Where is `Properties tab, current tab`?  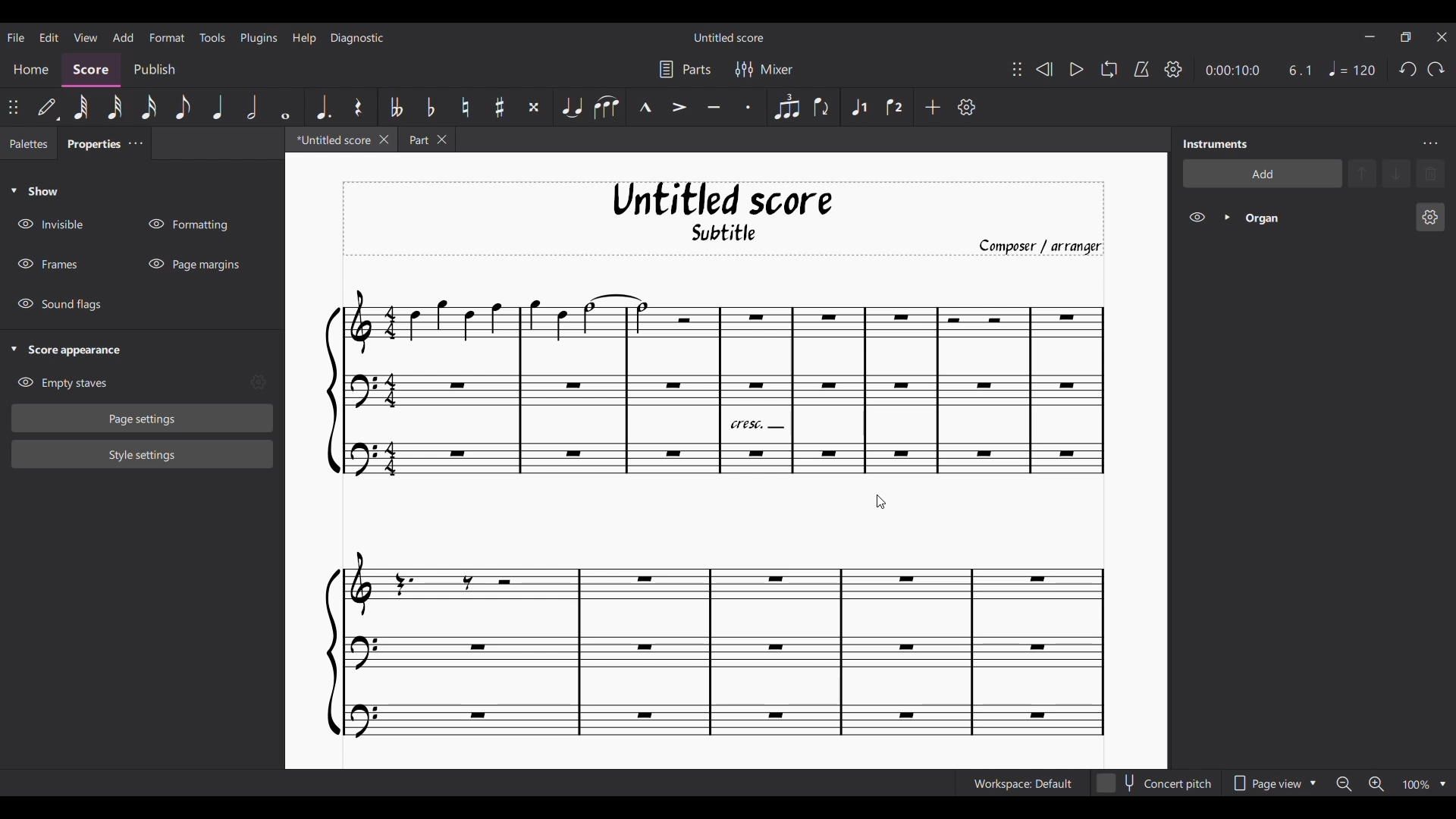 Properties tab, current tab is located at coordinates (90, 143).